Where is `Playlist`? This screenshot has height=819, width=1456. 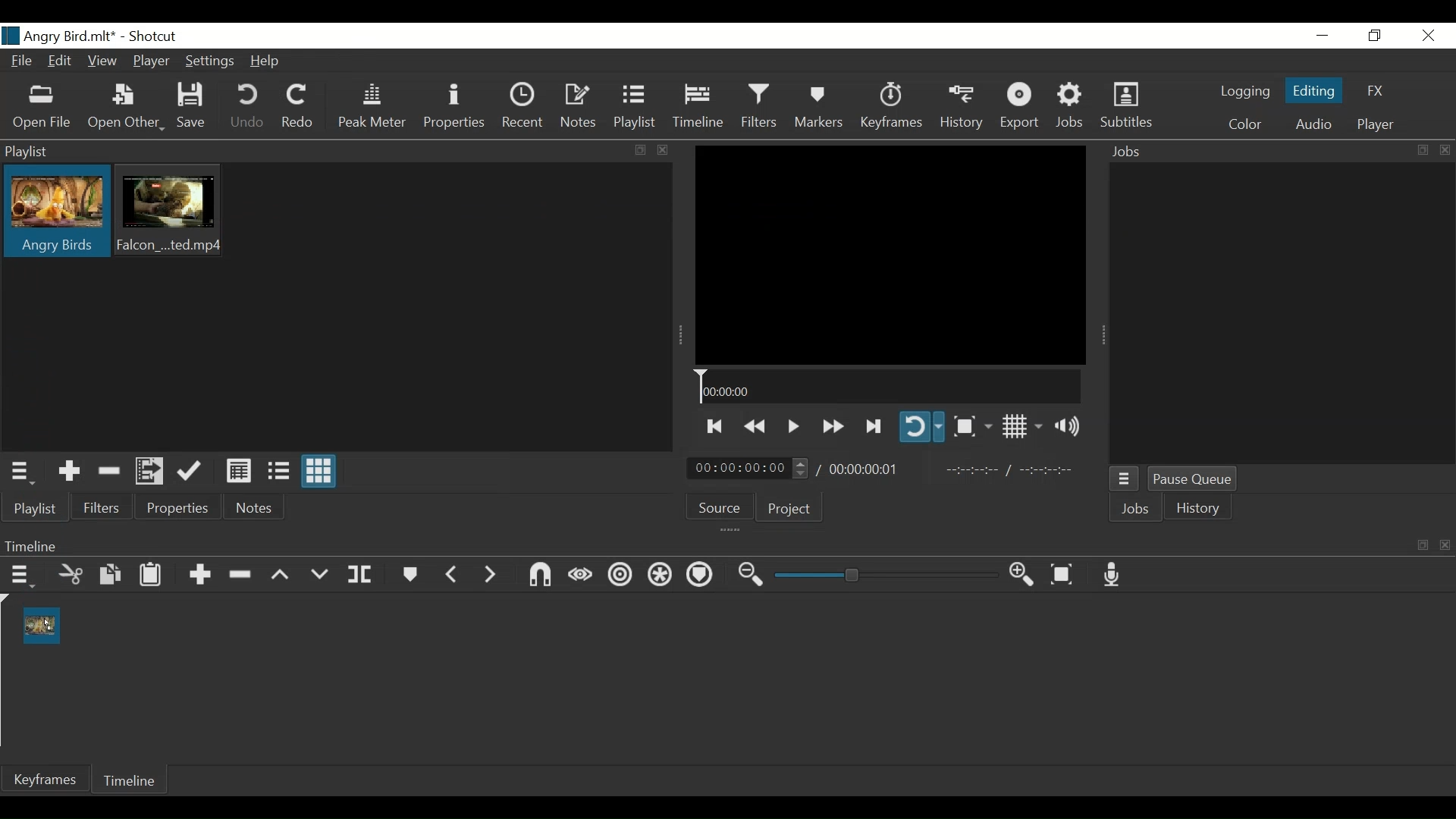
Playlist is located at coordinates (638, 108).